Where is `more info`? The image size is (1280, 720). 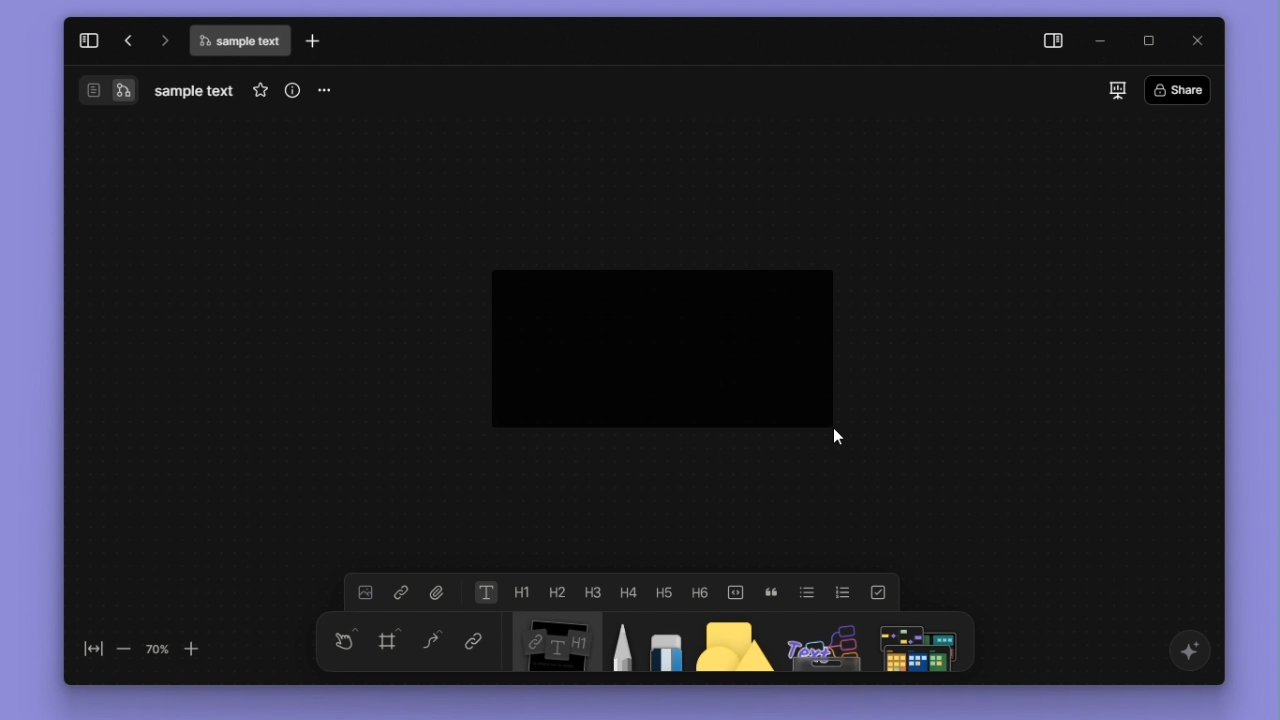 more info is located at coordinates (289, 90).